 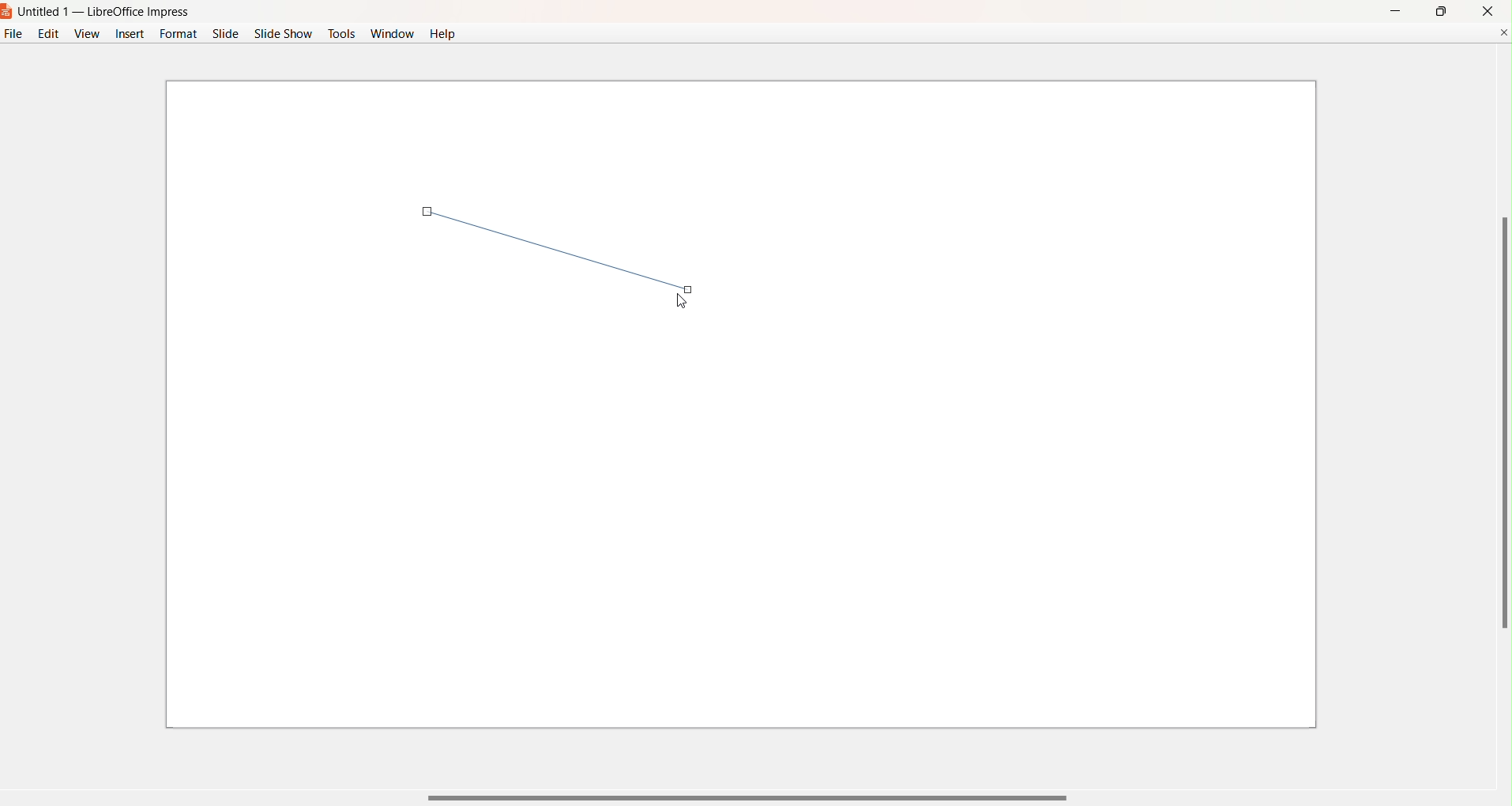 What do you see at coordinates (431, 211) in the screenshot?
I see `first point` at bounding box center [431, 211].